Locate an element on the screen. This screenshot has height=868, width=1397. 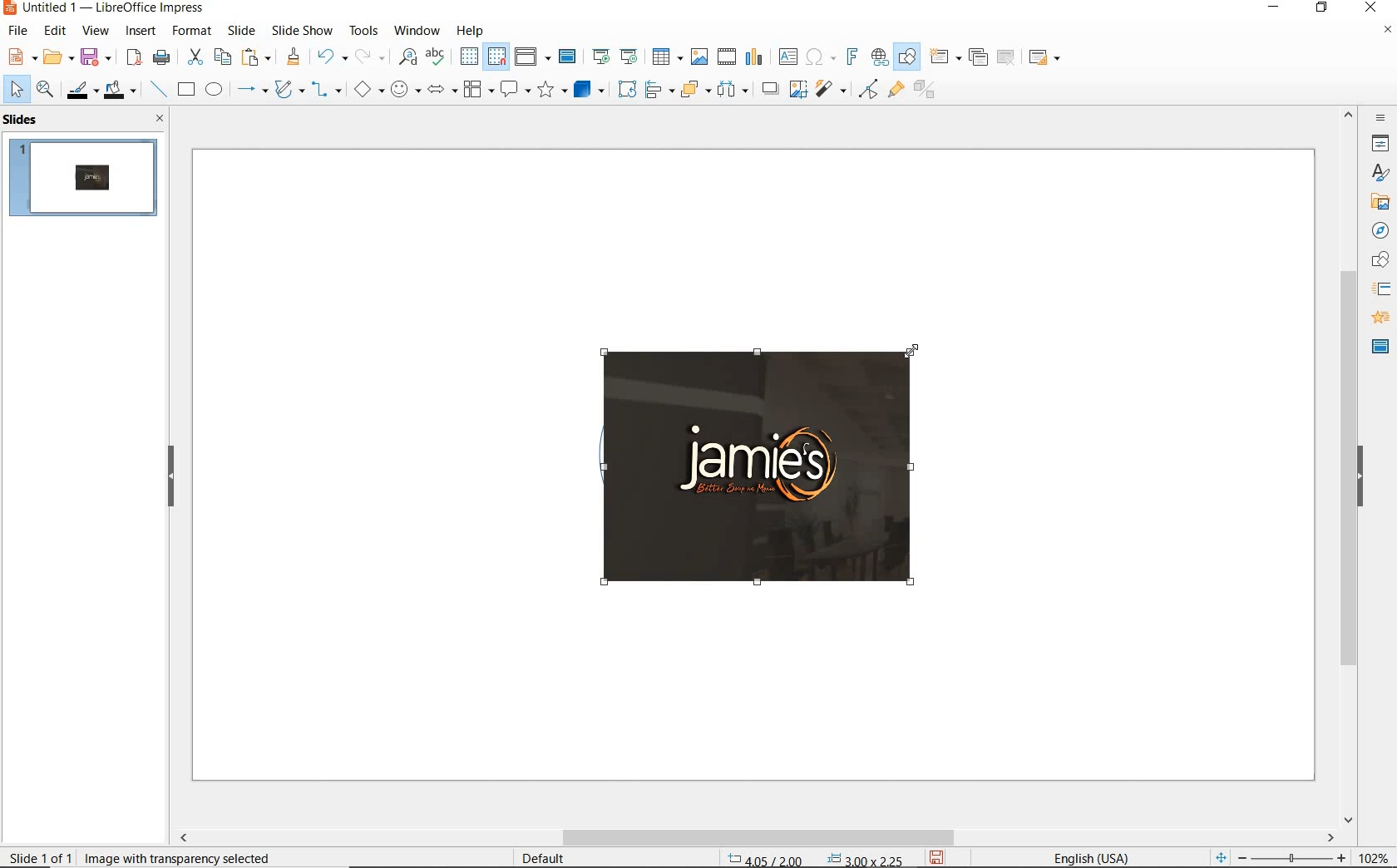
slide 1 is located at coordinates (86, 180).